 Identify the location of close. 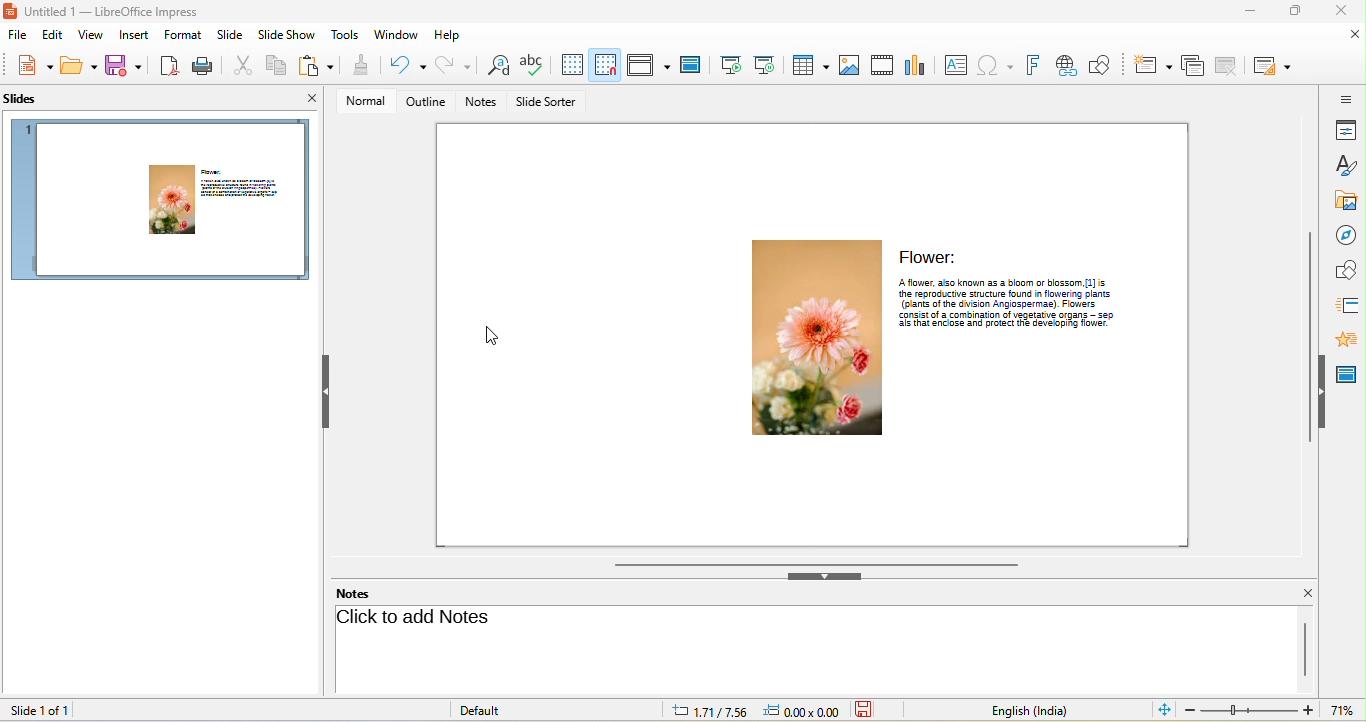
(1354, 37).